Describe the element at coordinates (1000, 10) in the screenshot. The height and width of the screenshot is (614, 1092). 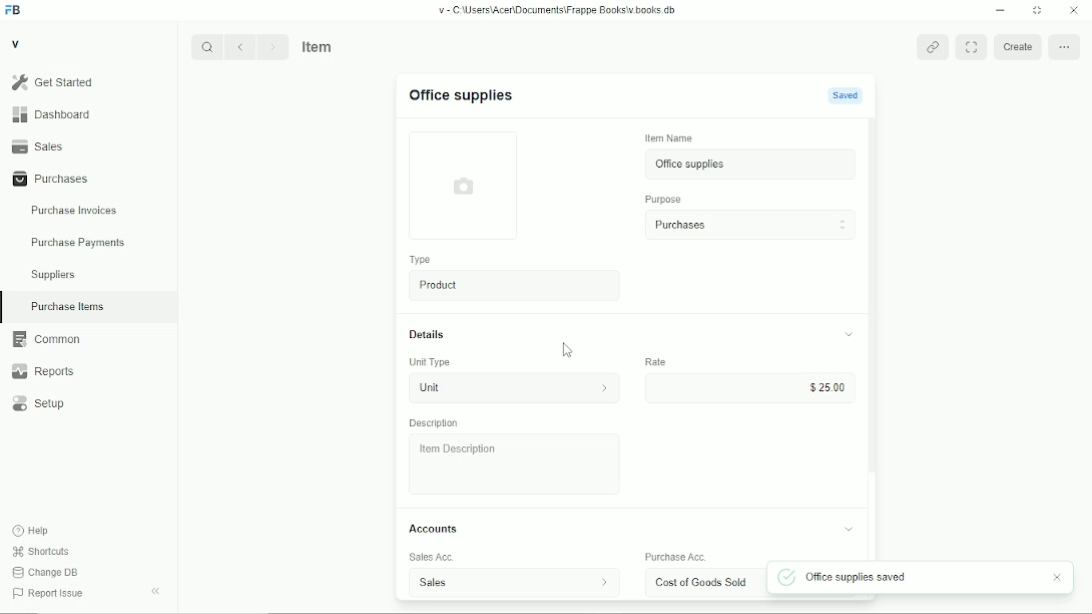
I see `Minimize` at that location.